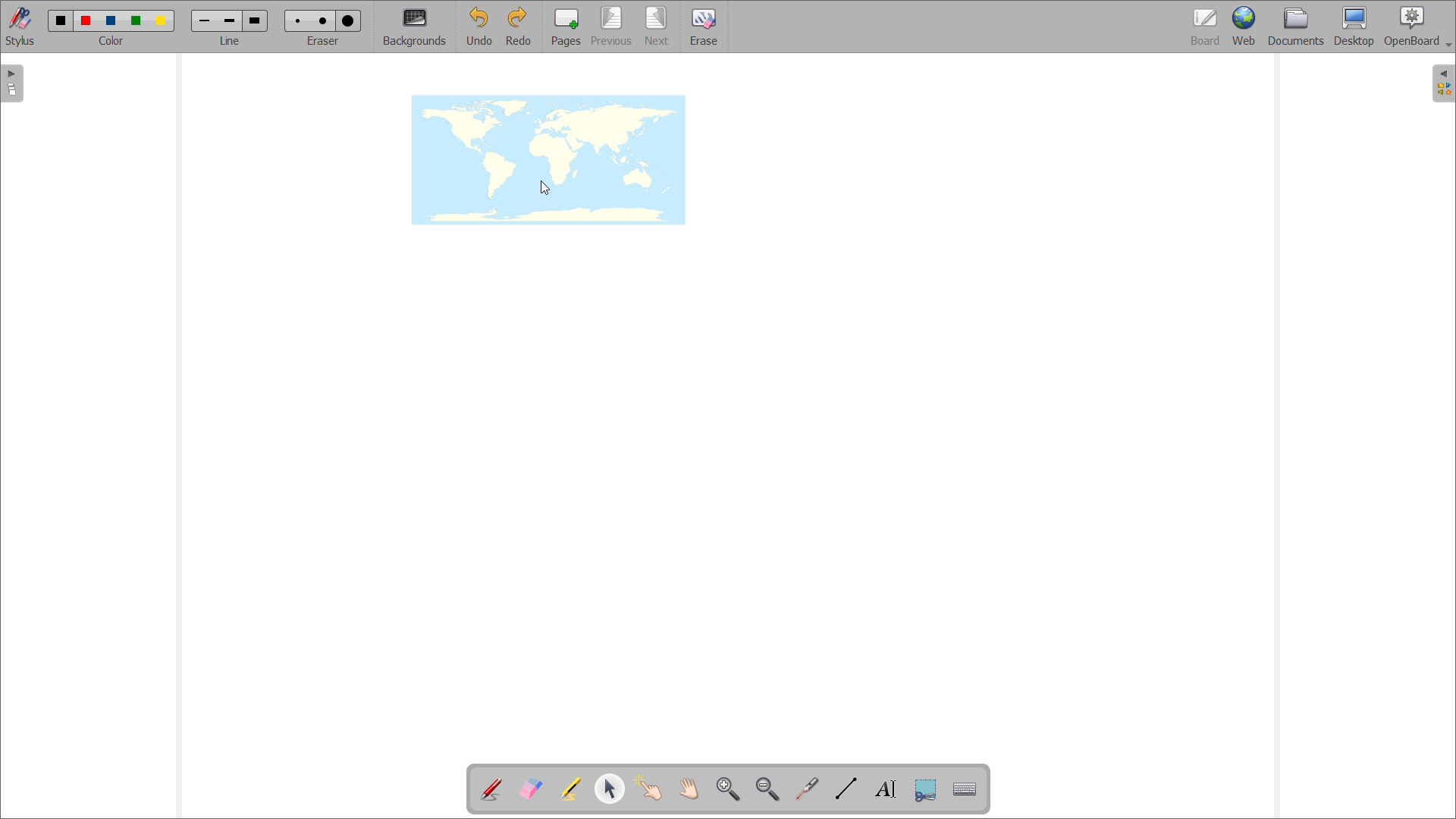 This screenshot has height=819, width=1456. Describe the element at coordinates (415, 27) in the screenshot. I see `backgrounds` at that location.